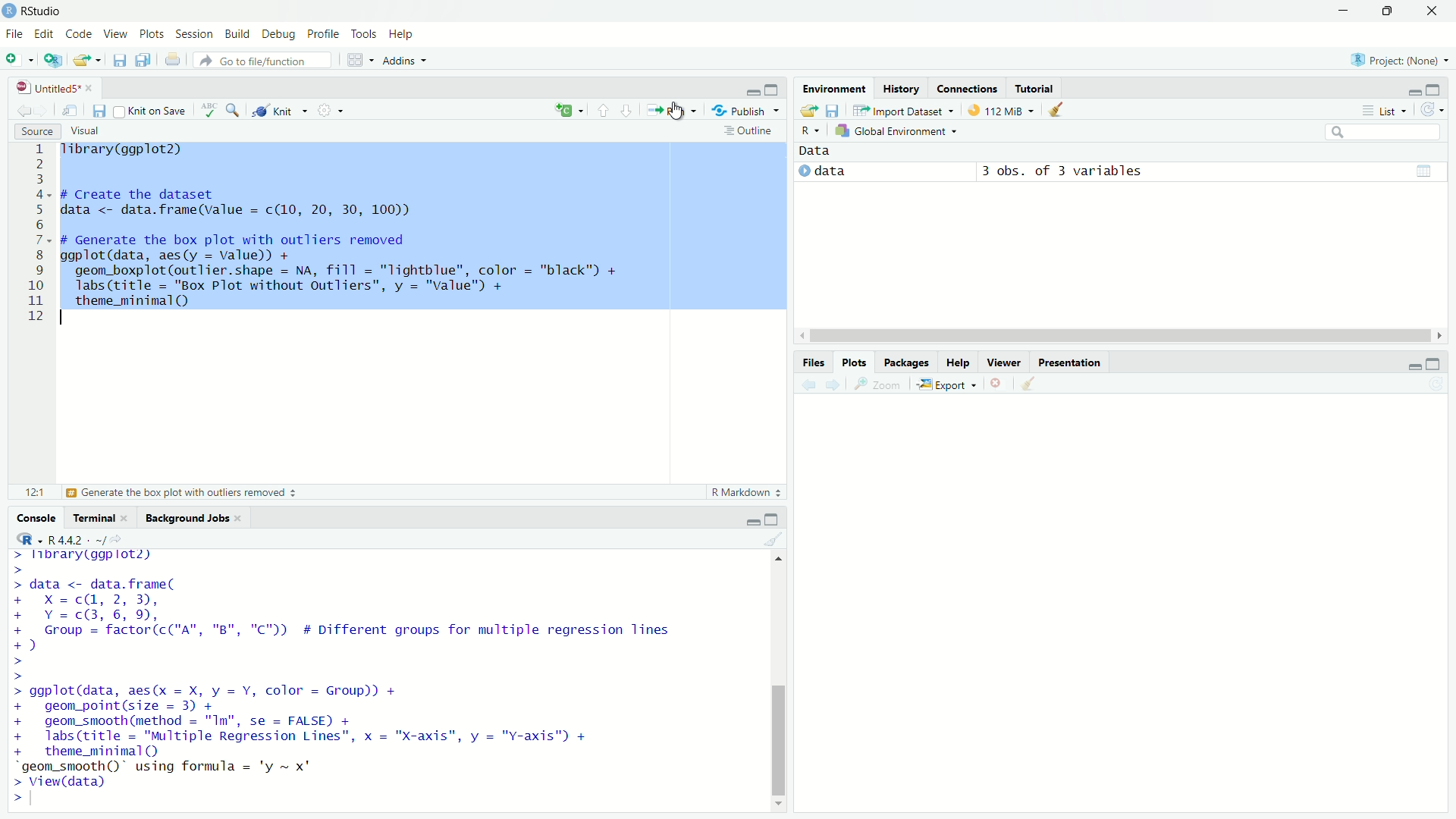 The width and height of the screenshot is (1456, 819). I want to click on zoom, so click(881, 386).